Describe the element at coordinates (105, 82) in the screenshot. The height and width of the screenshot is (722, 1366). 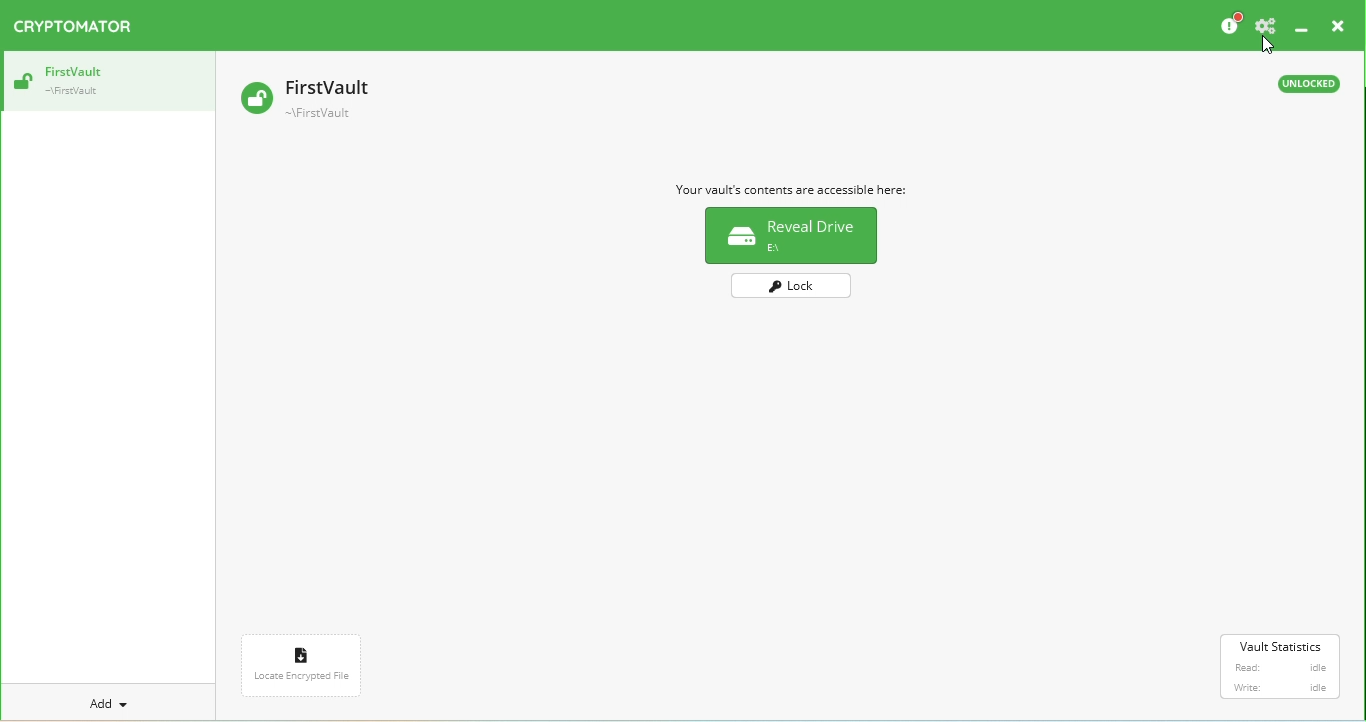
I see `Vault` at that location.